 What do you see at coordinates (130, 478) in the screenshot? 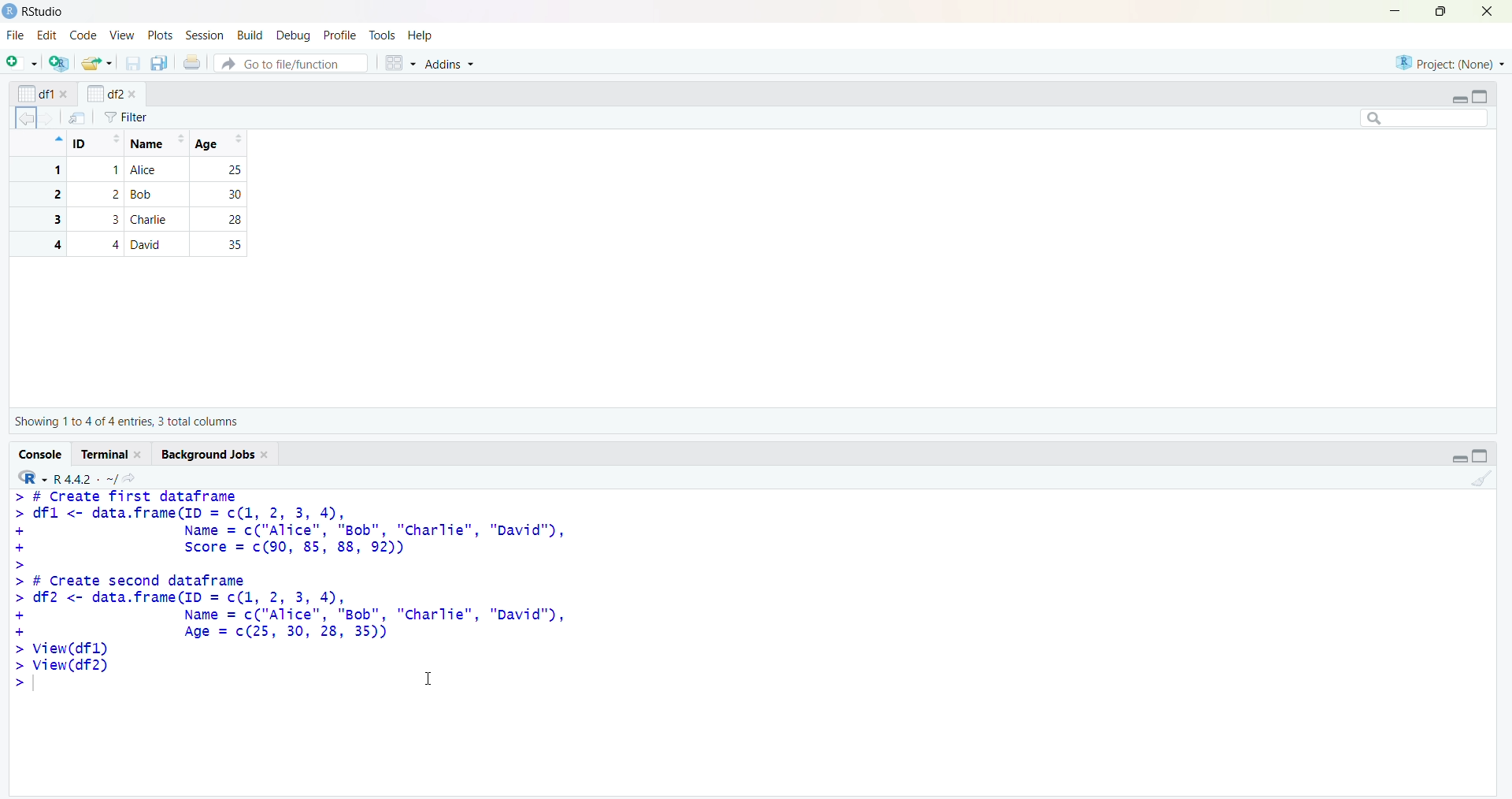
I see `share icon` at bounding box center [130, 478].